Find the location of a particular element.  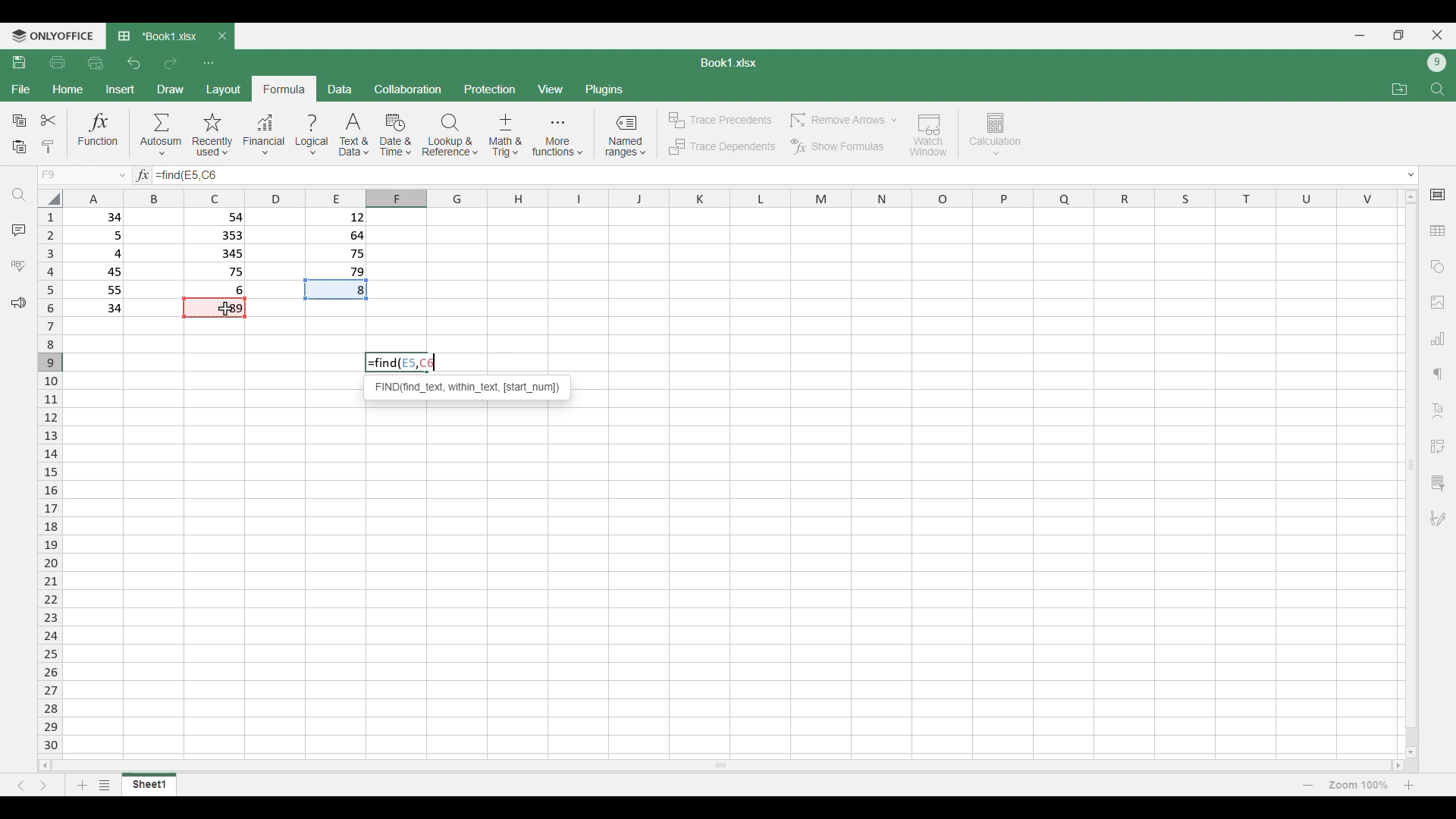

Trace precedents is located at coordinates (719, 121).